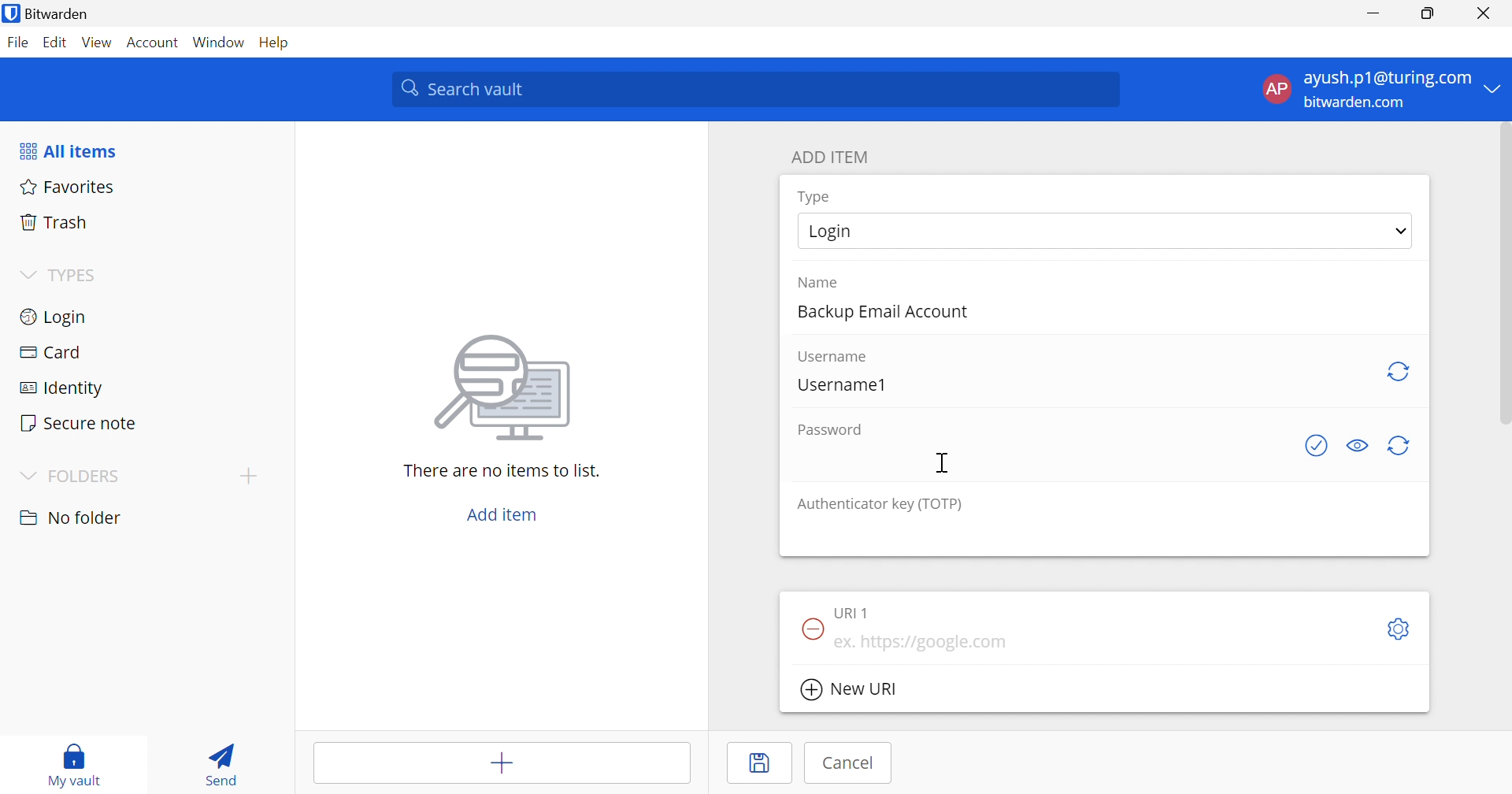 The image size is (1512, 794). Describe the element at coordinates (849, 690) in the screenshot. I see `New URl` at that location.